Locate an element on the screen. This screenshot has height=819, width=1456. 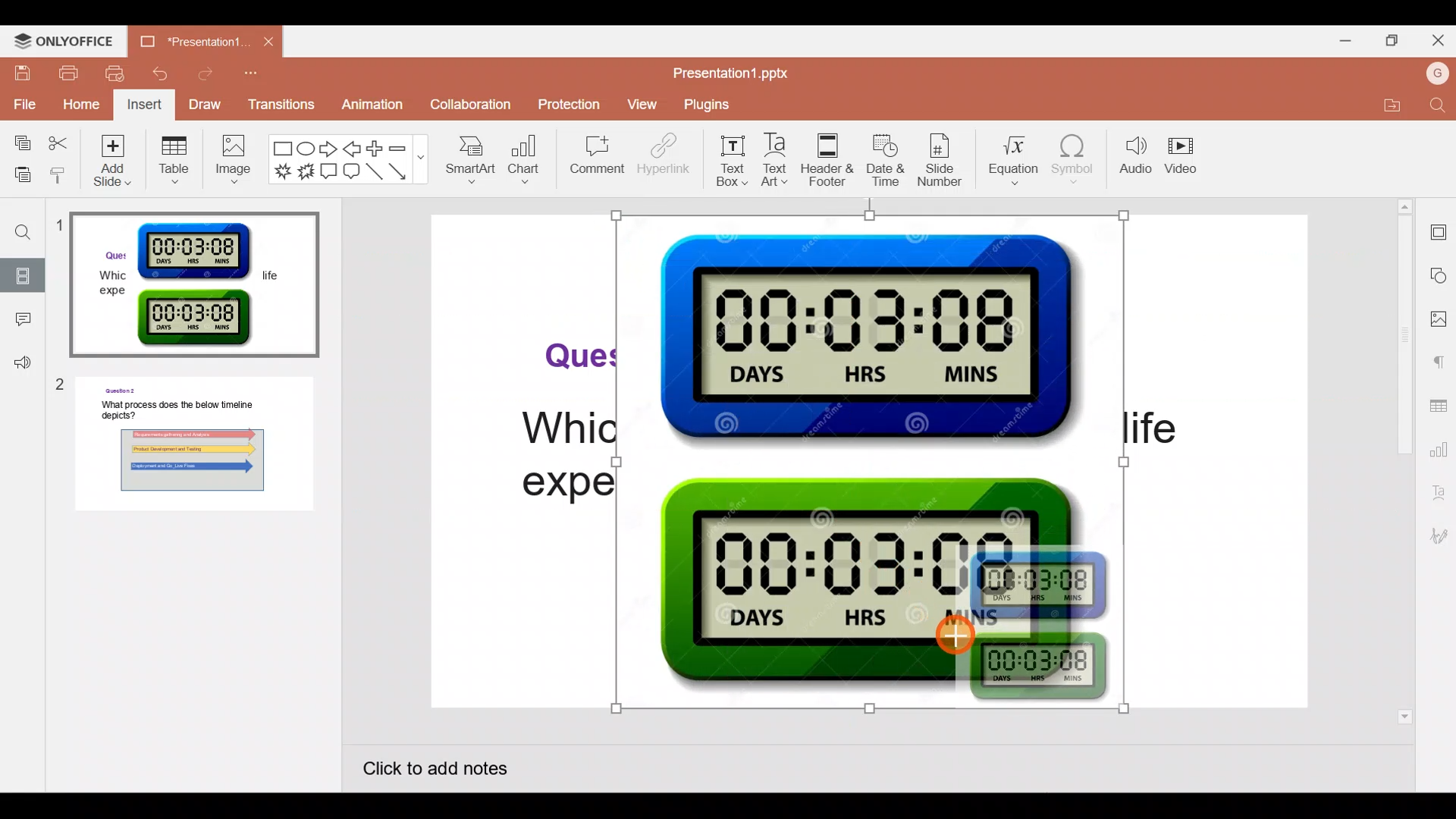
Video is located at coordinates (1187, 152).